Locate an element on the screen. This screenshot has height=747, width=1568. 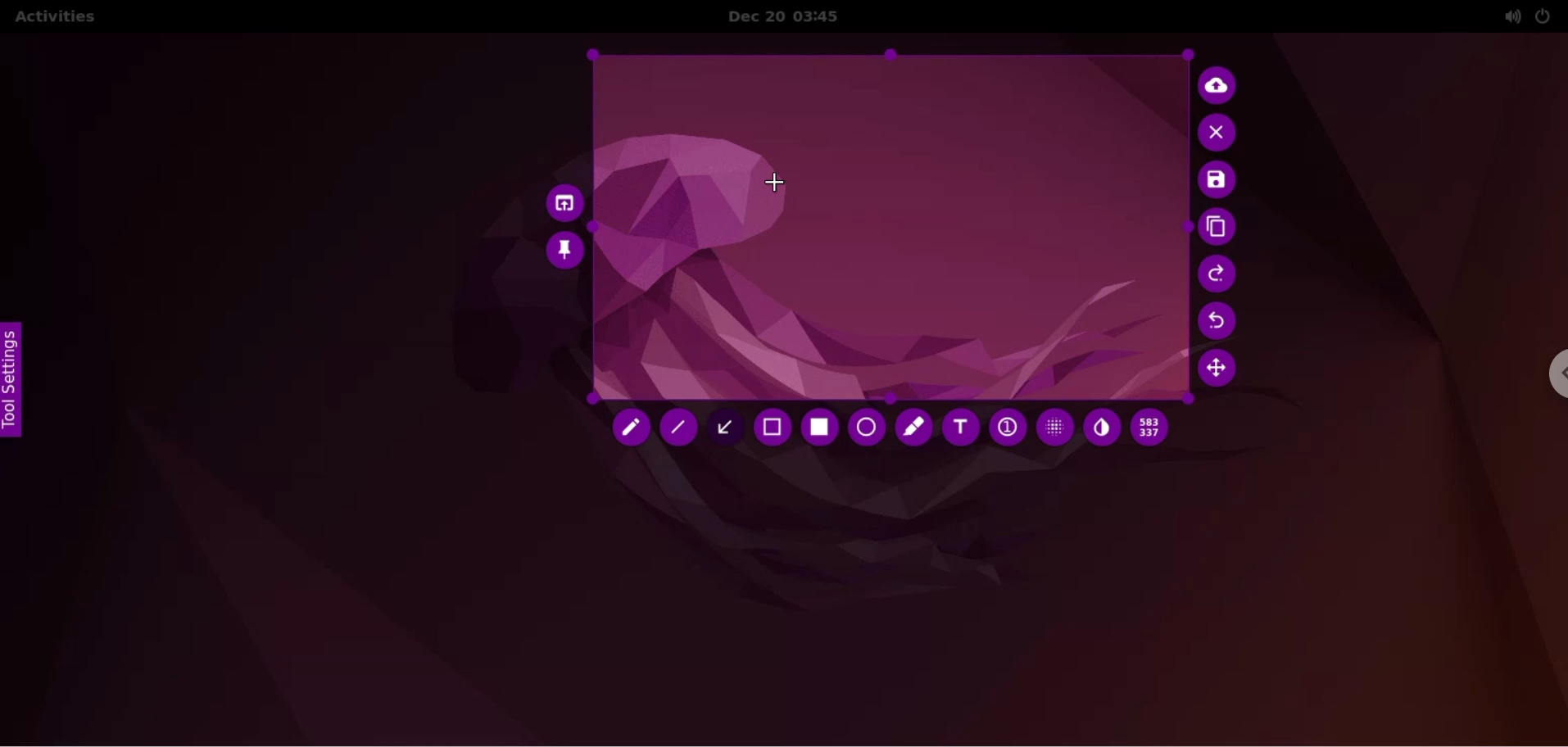
move selection is located at coordinates (1222, 372).